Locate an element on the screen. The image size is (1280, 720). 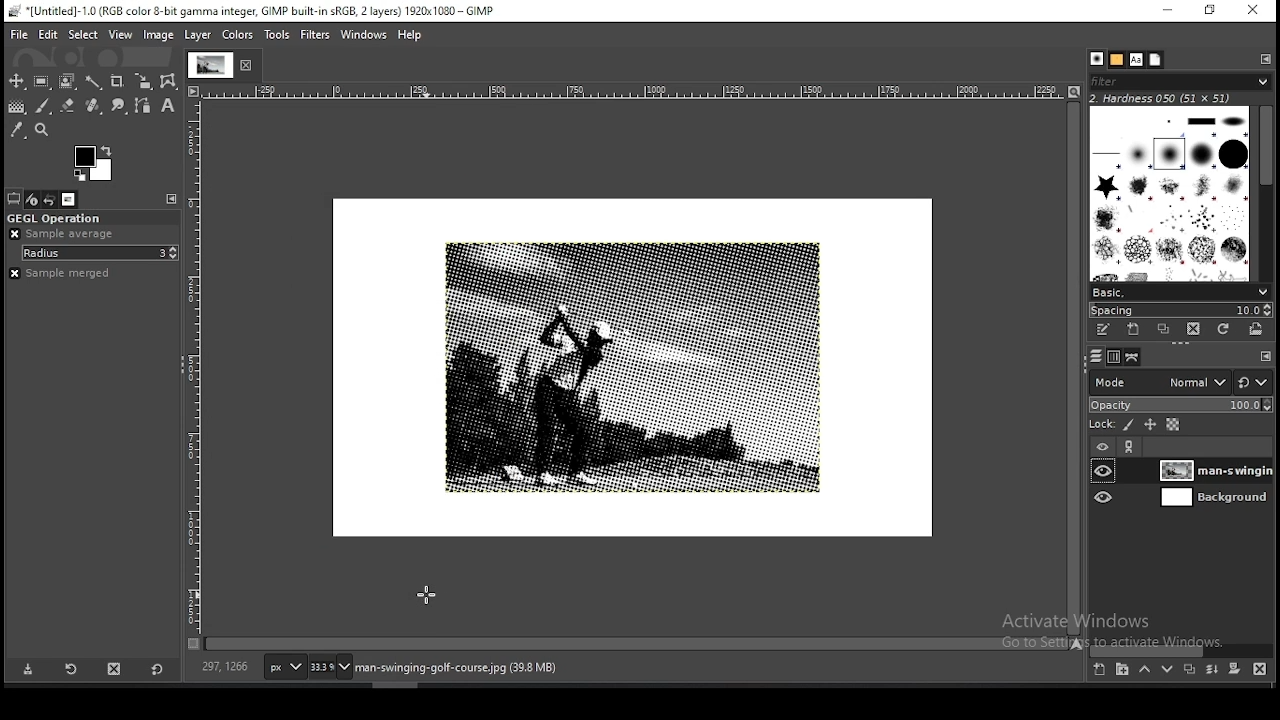
lock position and size is located at coordinates (1149, 426).